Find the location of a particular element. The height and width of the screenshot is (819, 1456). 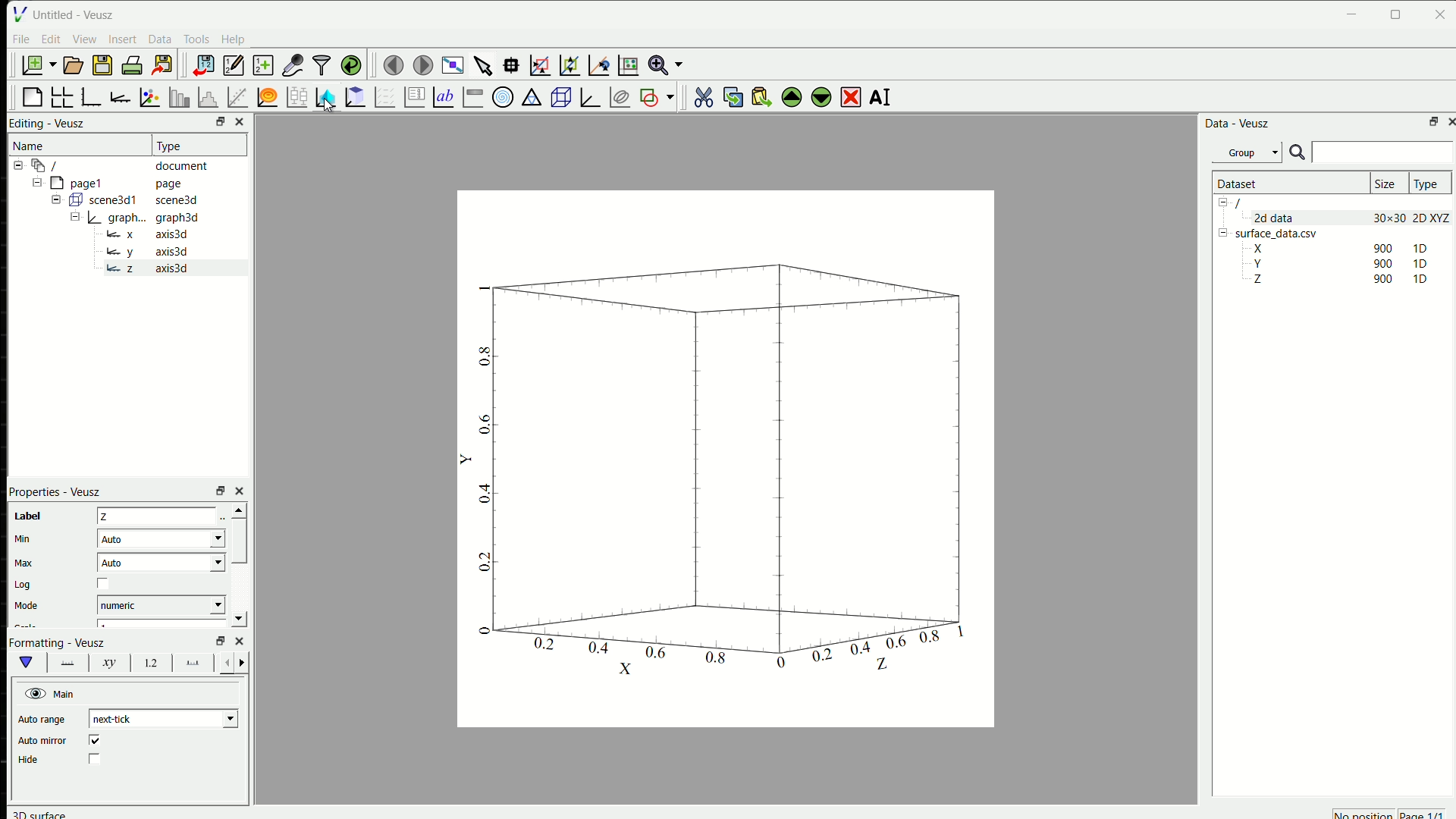

paste widget from the clipboard is located at coordinates (764, 96).